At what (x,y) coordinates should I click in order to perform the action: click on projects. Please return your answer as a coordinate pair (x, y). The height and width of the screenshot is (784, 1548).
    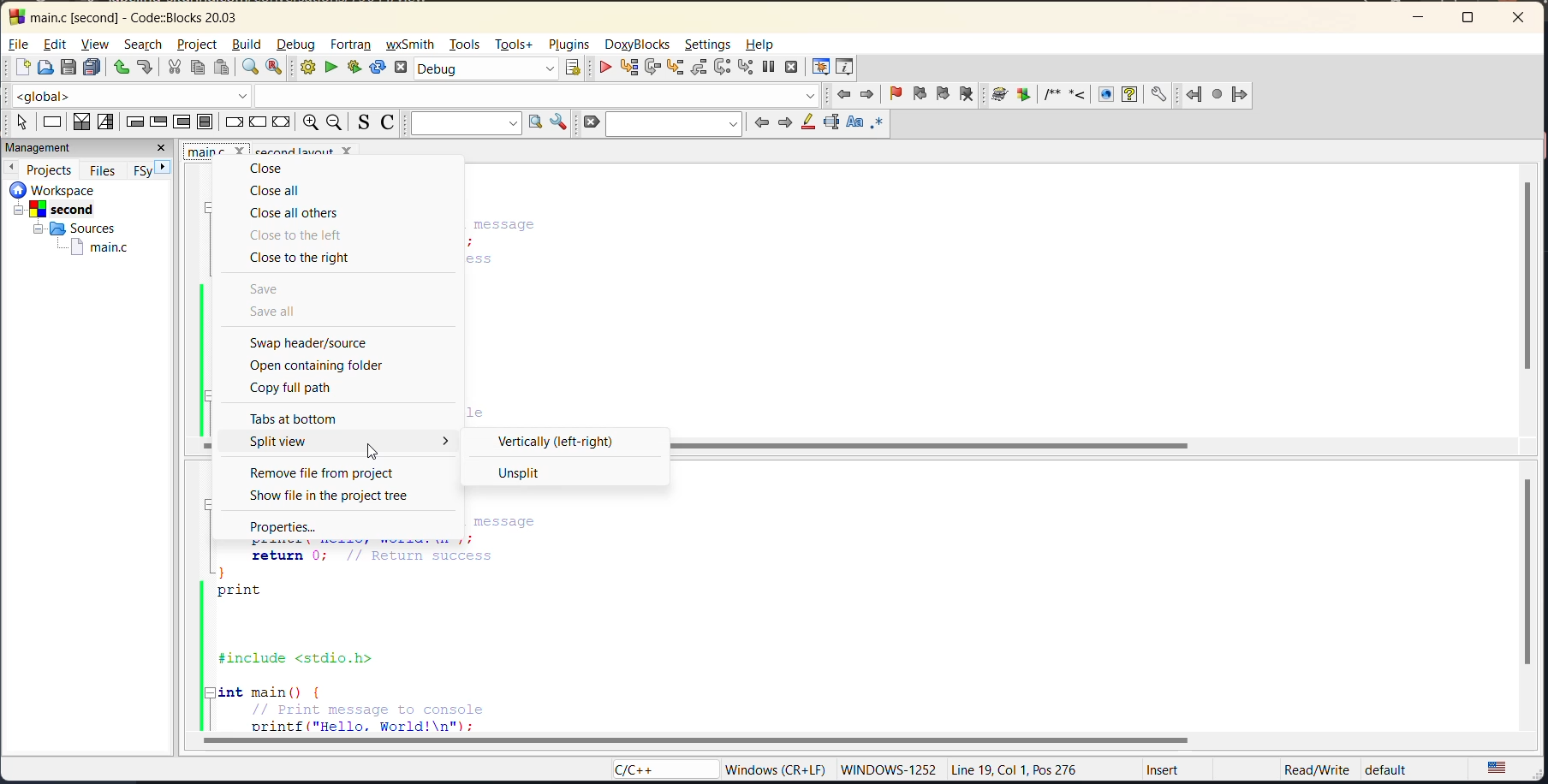
    Looking at the image, I should click on (51, 169).